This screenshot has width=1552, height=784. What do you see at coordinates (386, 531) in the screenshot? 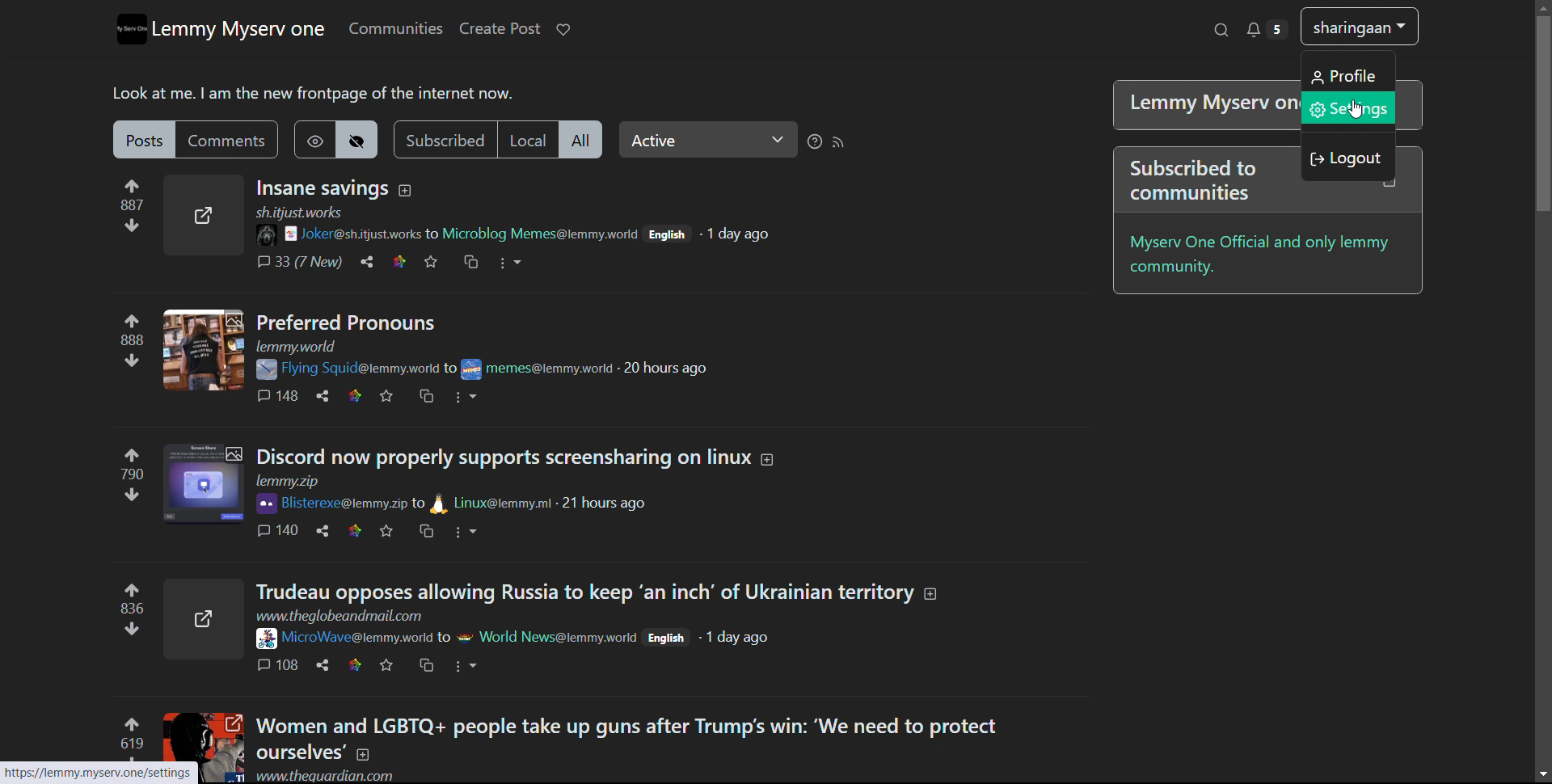
I see `favorites` at bounding box center [386, 531].